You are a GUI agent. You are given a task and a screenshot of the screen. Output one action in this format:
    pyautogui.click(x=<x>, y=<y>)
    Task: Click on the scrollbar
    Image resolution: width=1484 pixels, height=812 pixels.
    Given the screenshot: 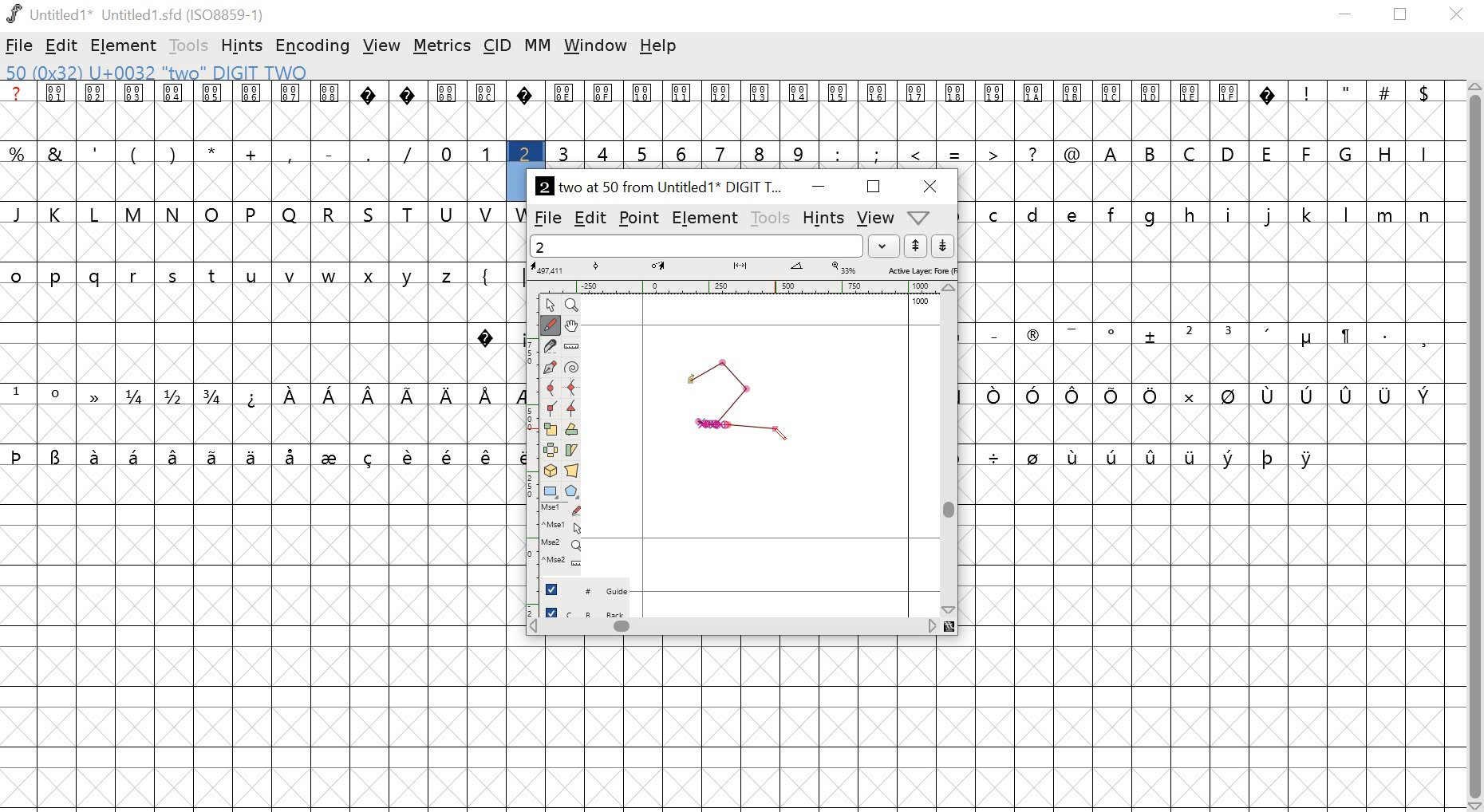 What is the action you would take?
    pyautogui.click(x=1473, y=447)
    